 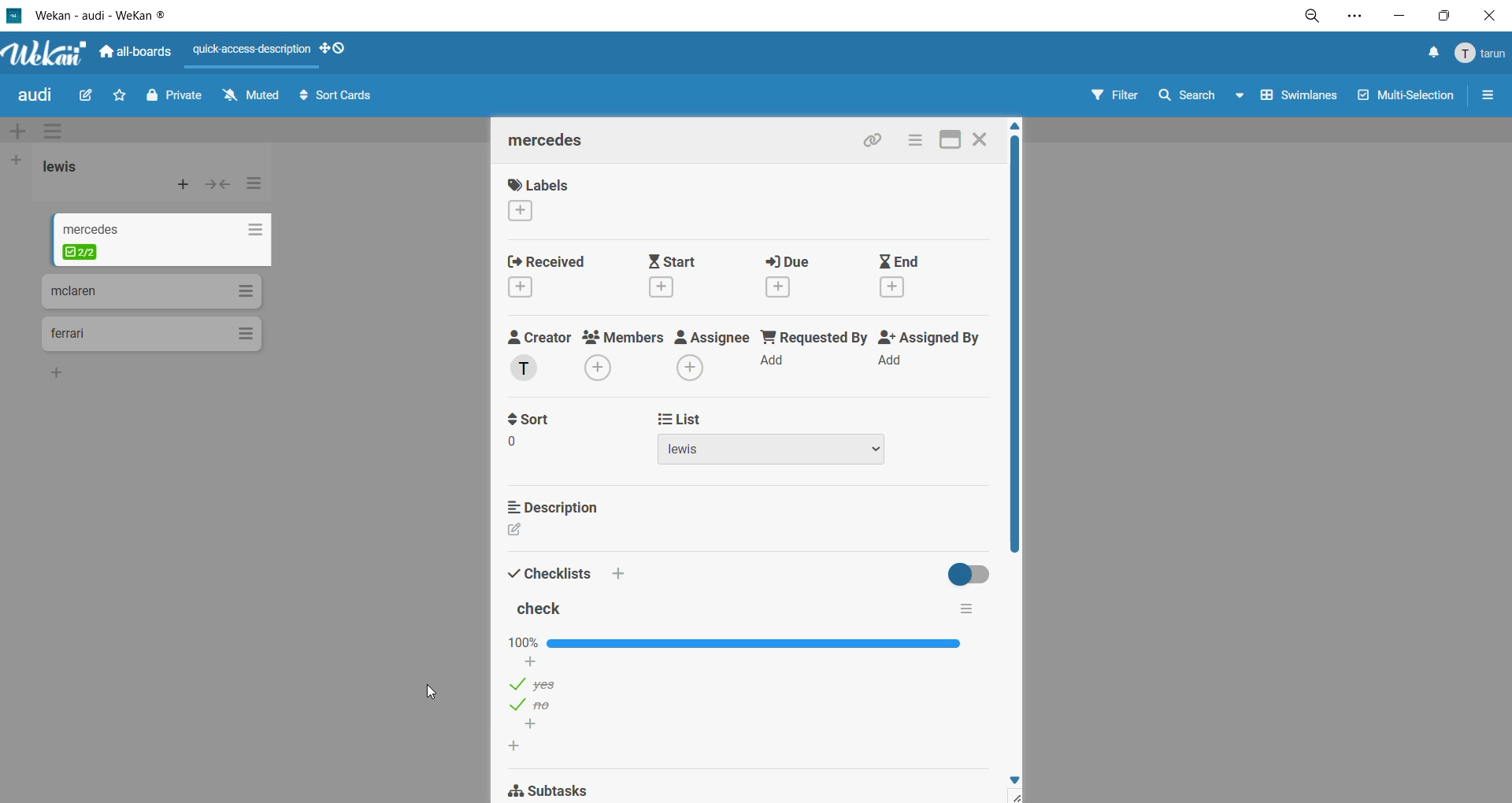 I want to click on app title, so click(x=88, y=15).